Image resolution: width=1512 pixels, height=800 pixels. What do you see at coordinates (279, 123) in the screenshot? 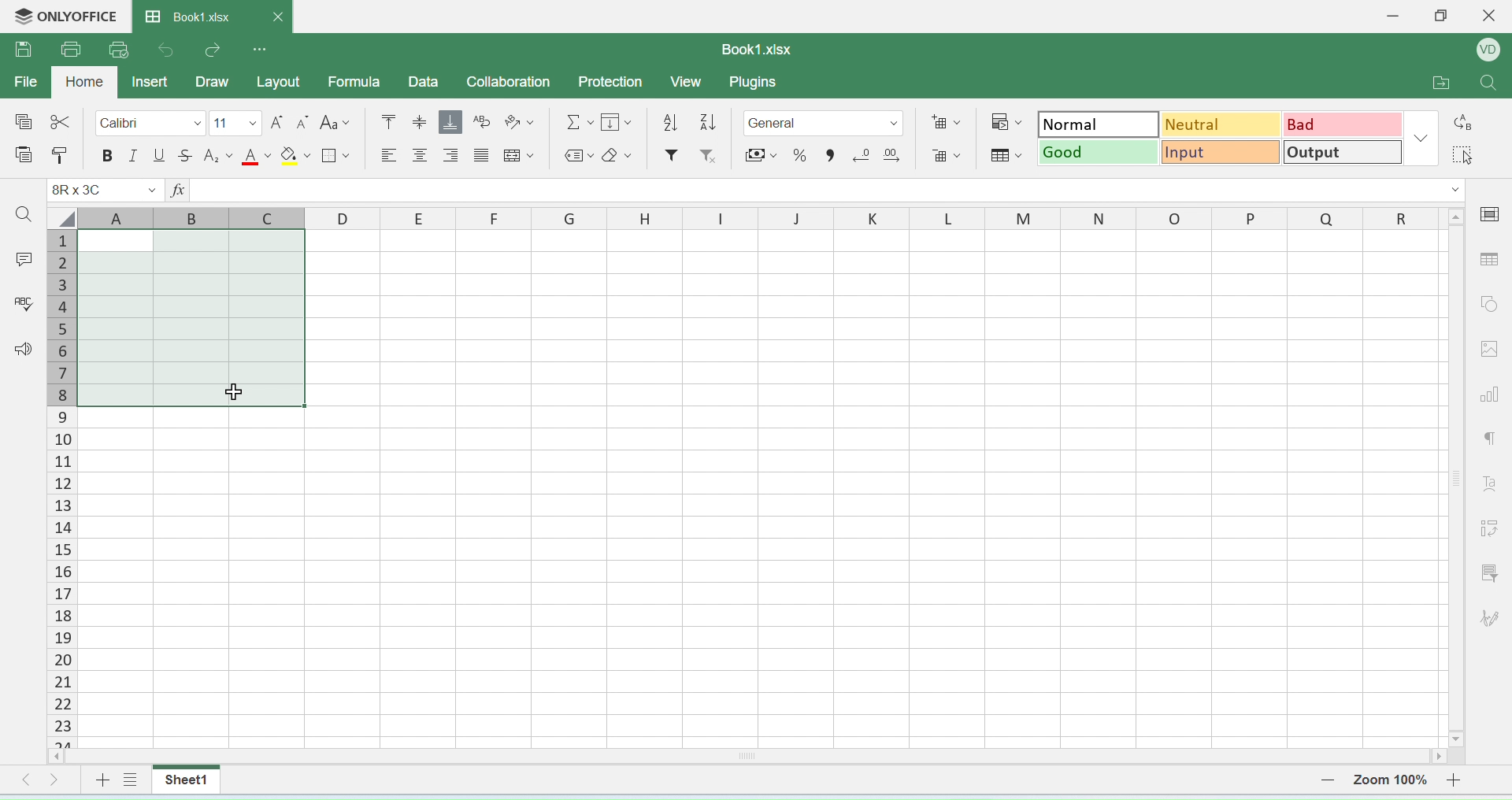
I see `increase font` at bounding box center [279, 123].